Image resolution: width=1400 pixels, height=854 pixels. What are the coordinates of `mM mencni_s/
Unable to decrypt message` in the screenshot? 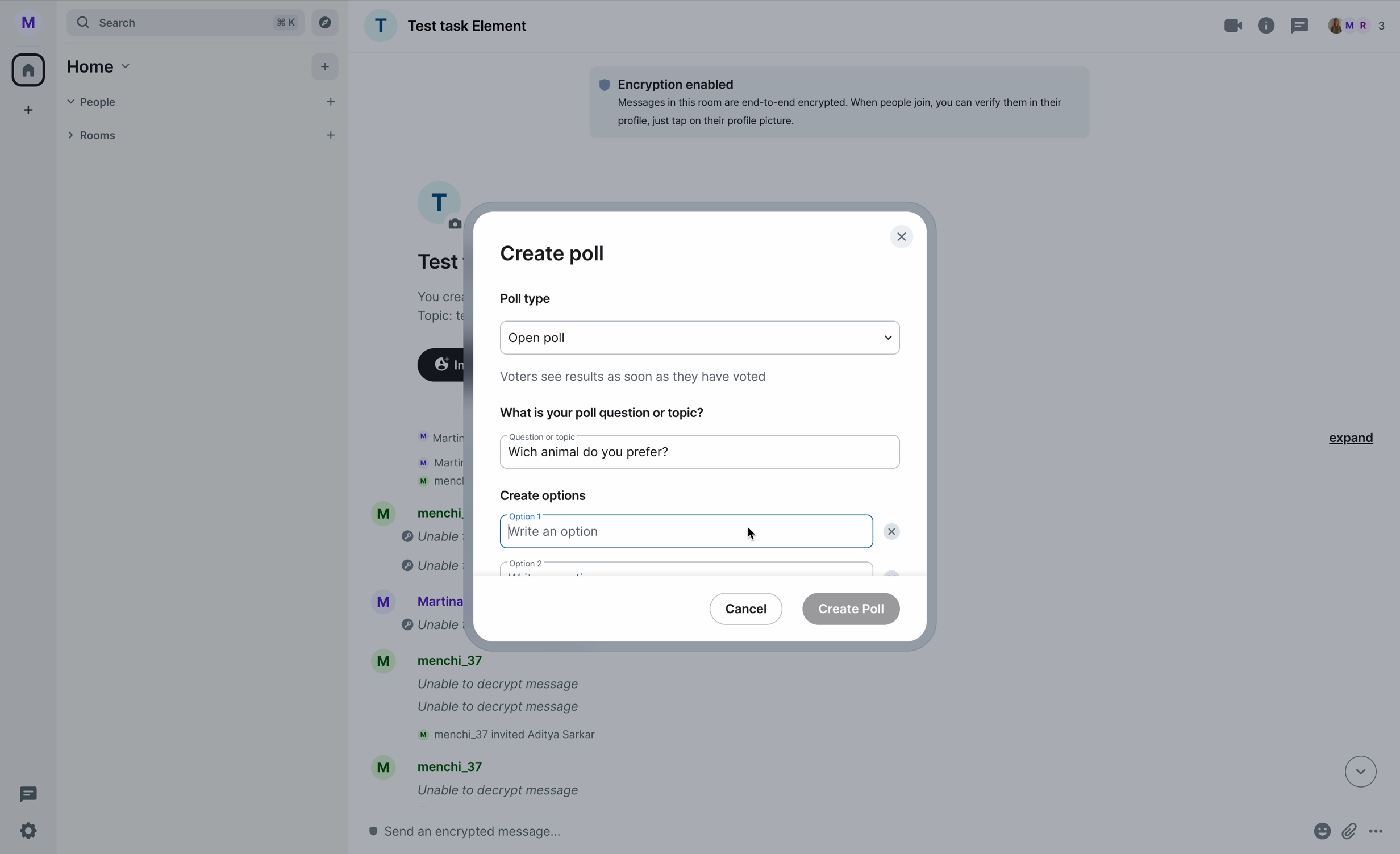 It's located at (475, 781).